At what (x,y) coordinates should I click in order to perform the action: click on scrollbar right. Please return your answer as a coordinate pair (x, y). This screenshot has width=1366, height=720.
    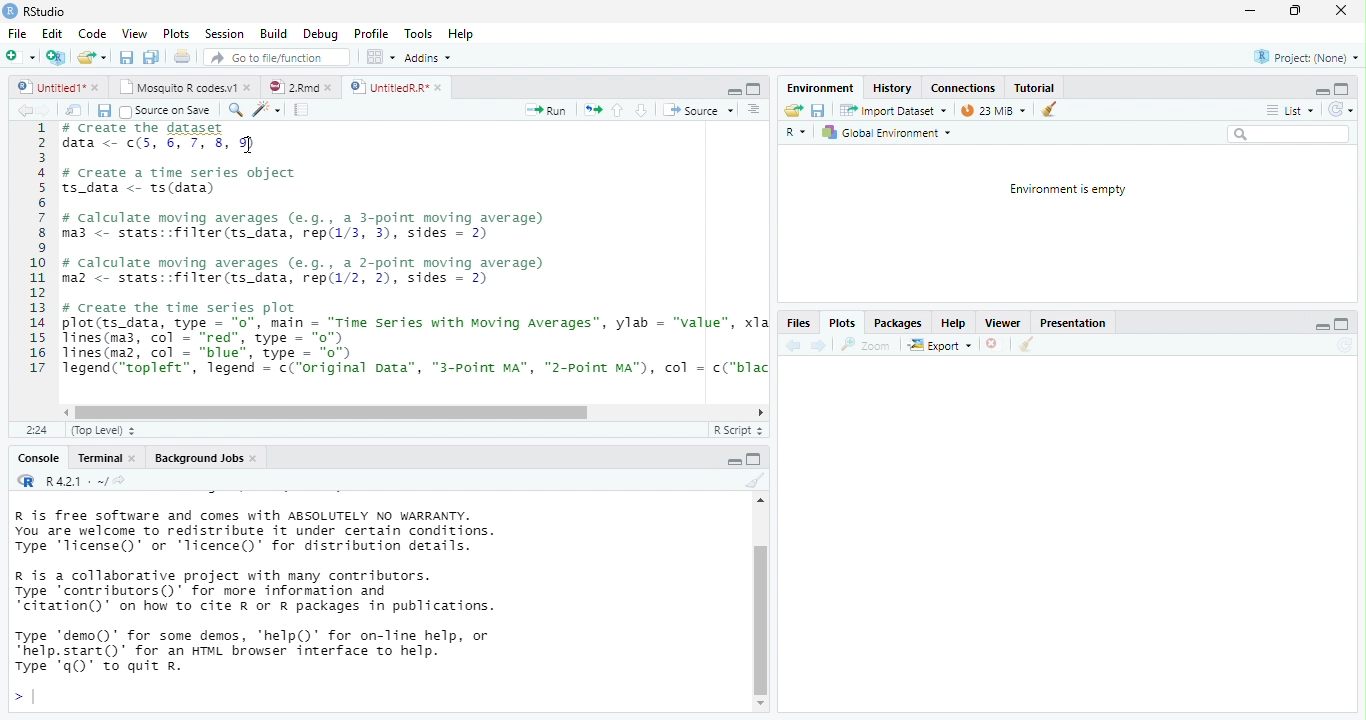
    Looking at the image, I should click on (758, 413).